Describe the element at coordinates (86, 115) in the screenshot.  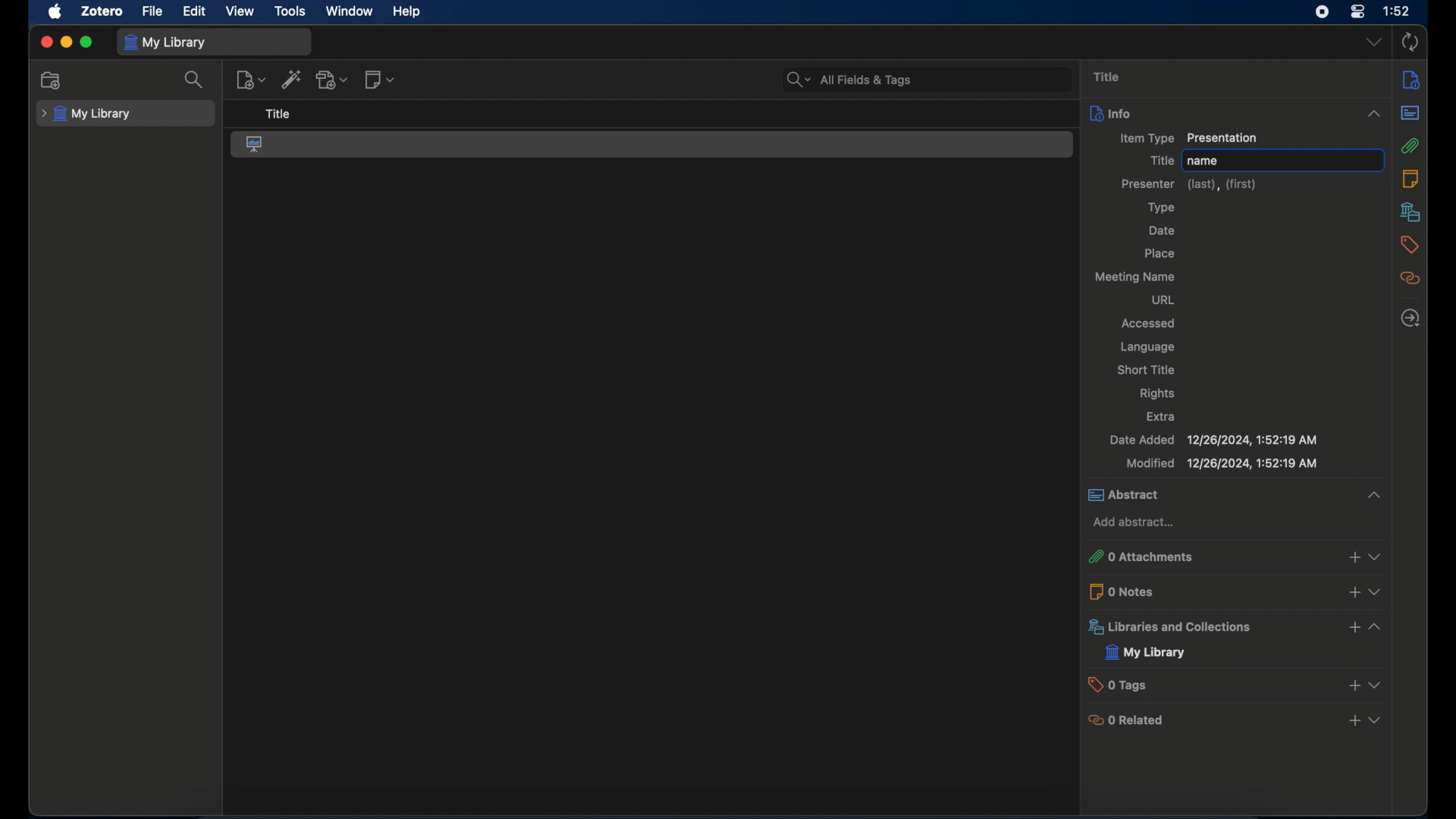
I see `my library` at that location.